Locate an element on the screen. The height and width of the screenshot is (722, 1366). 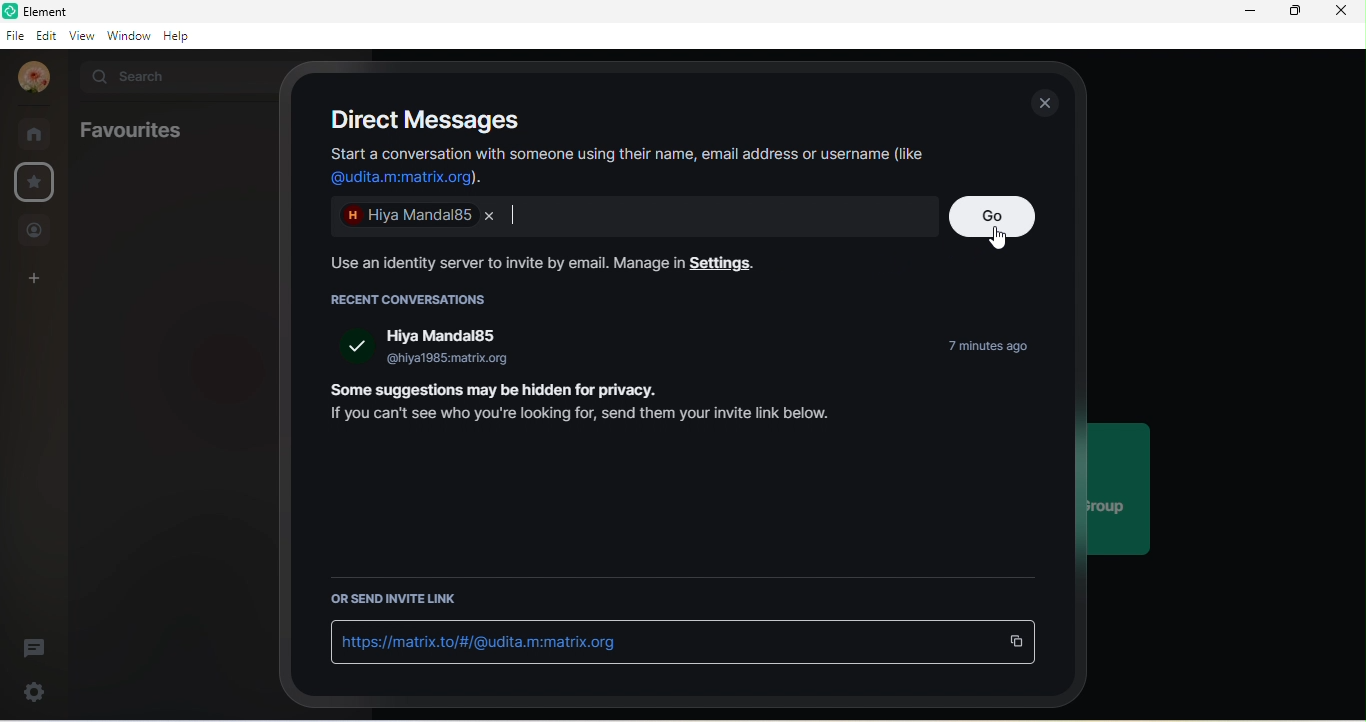
hiya mandal85 @hiya1985:matrix.org is located at coordinates (447, 347).